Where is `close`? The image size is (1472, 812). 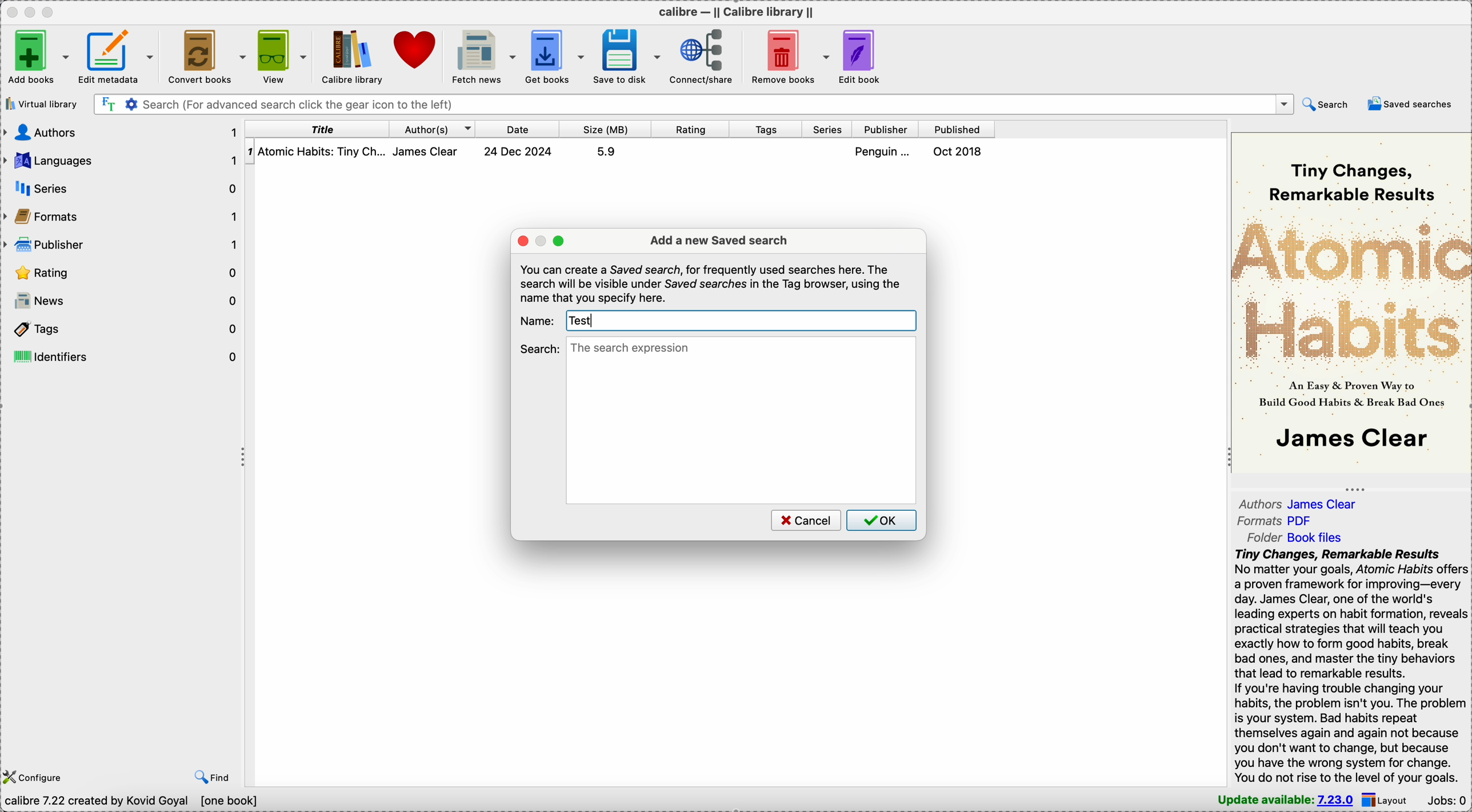
close is located at coordinates (11, 11).